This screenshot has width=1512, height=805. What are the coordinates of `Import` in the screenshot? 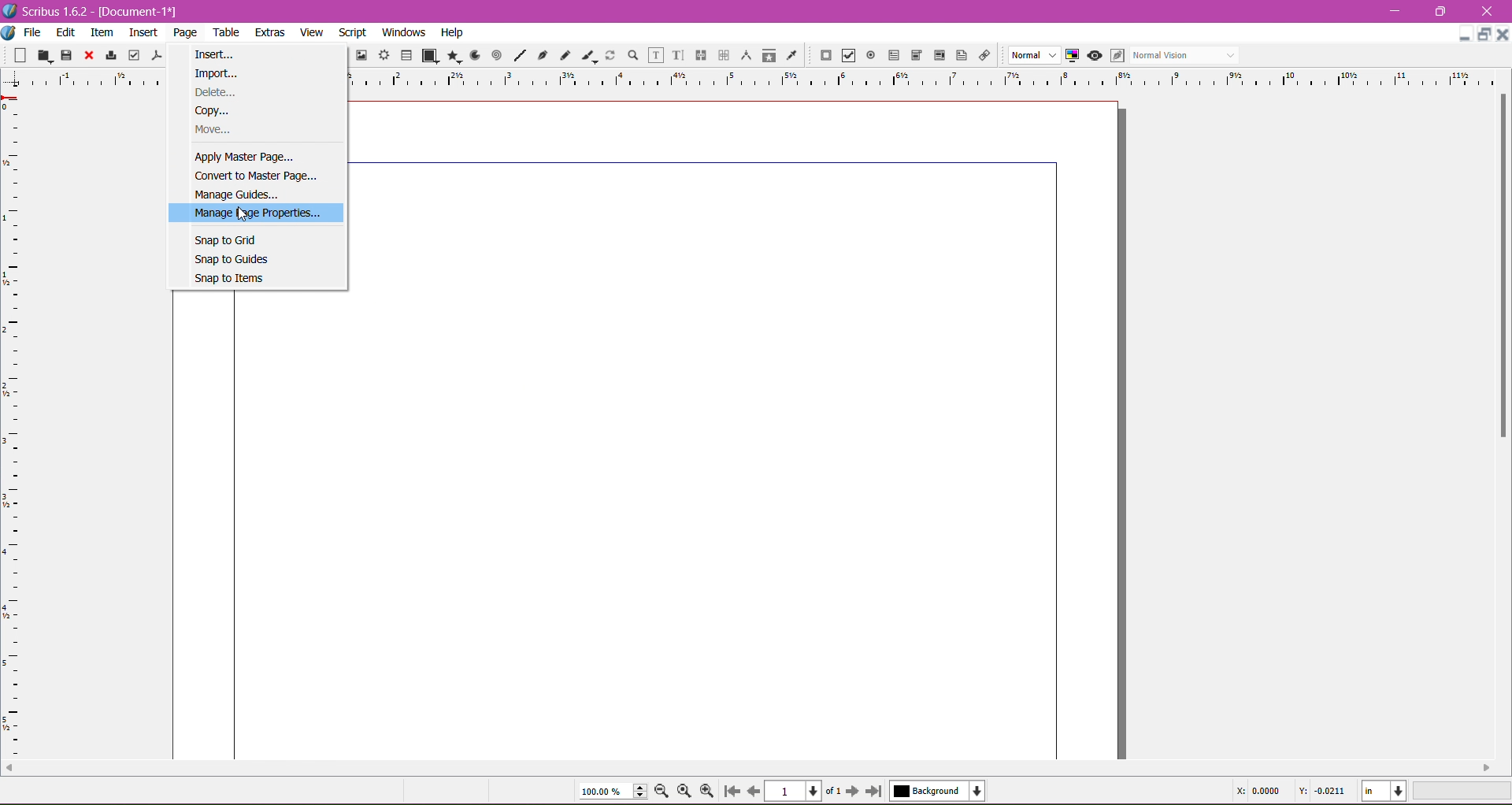 It's located at (217, 74).